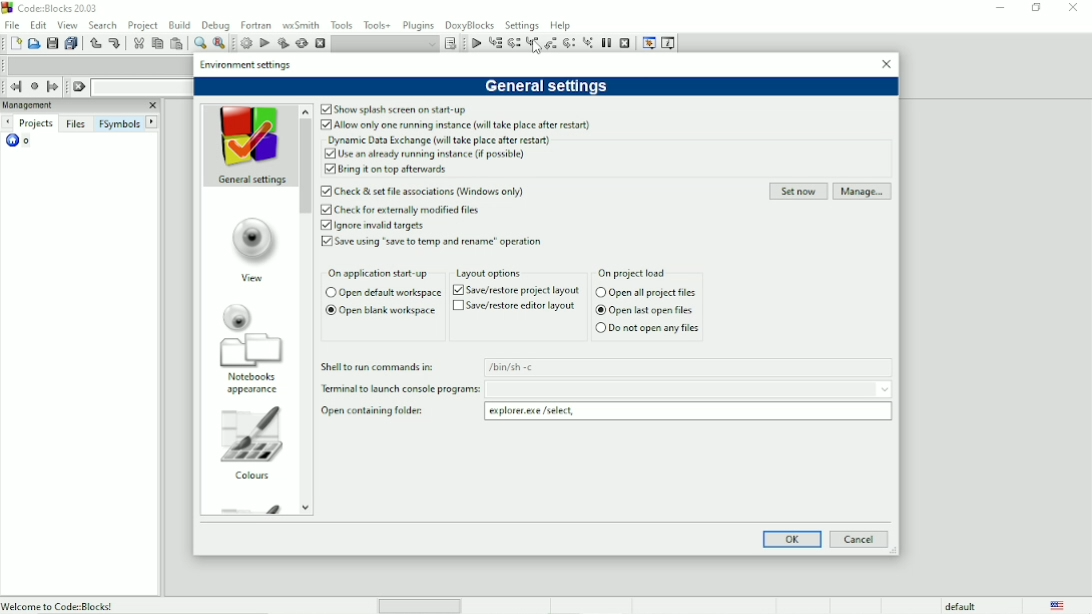 This screenshot has width=1092, height=614. I want to click on Files, so click(77, 124).